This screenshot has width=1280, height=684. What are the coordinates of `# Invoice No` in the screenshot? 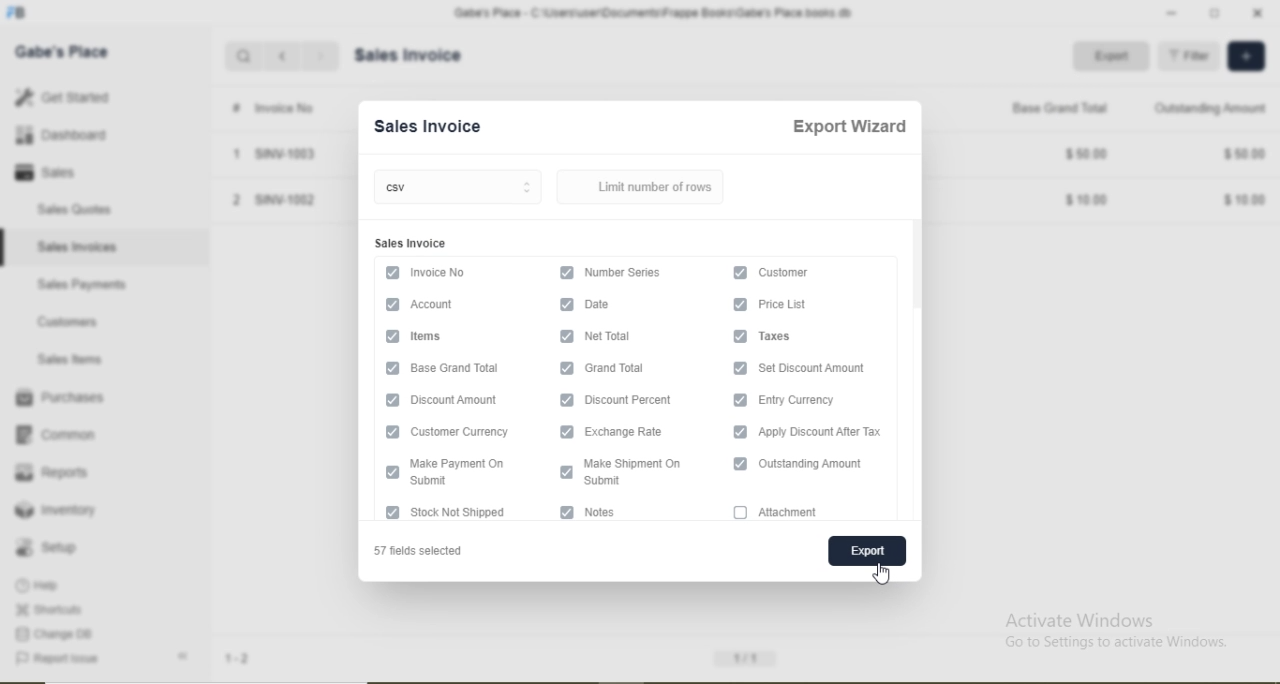 It's located at (267, 108).